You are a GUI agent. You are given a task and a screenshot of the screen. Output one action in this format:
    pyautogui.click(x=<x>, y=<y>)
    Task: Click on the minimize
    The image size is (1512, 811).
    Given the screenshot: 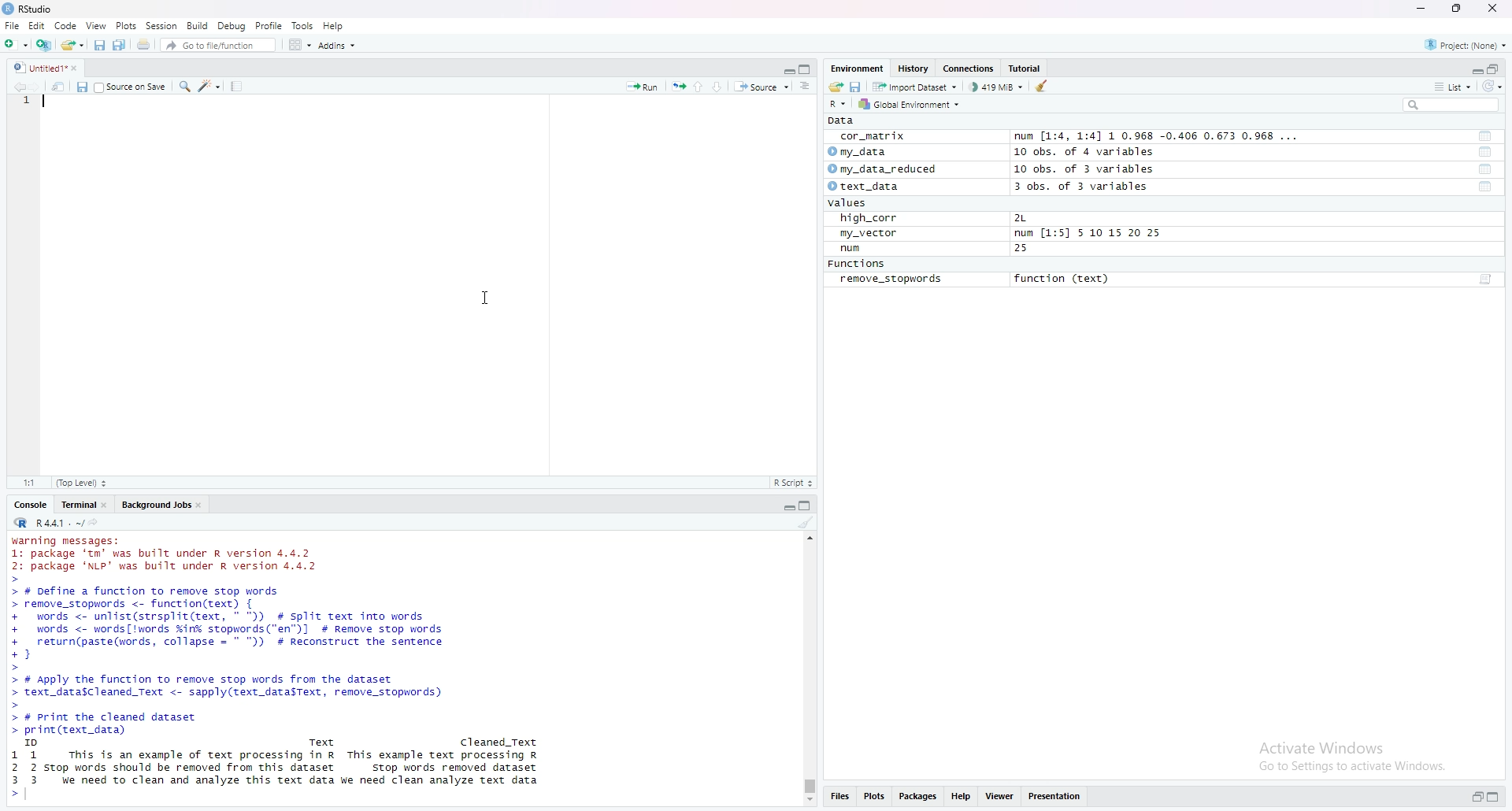 What is the action you would take?
    pyautogui.click(x=1423, y=8)
    